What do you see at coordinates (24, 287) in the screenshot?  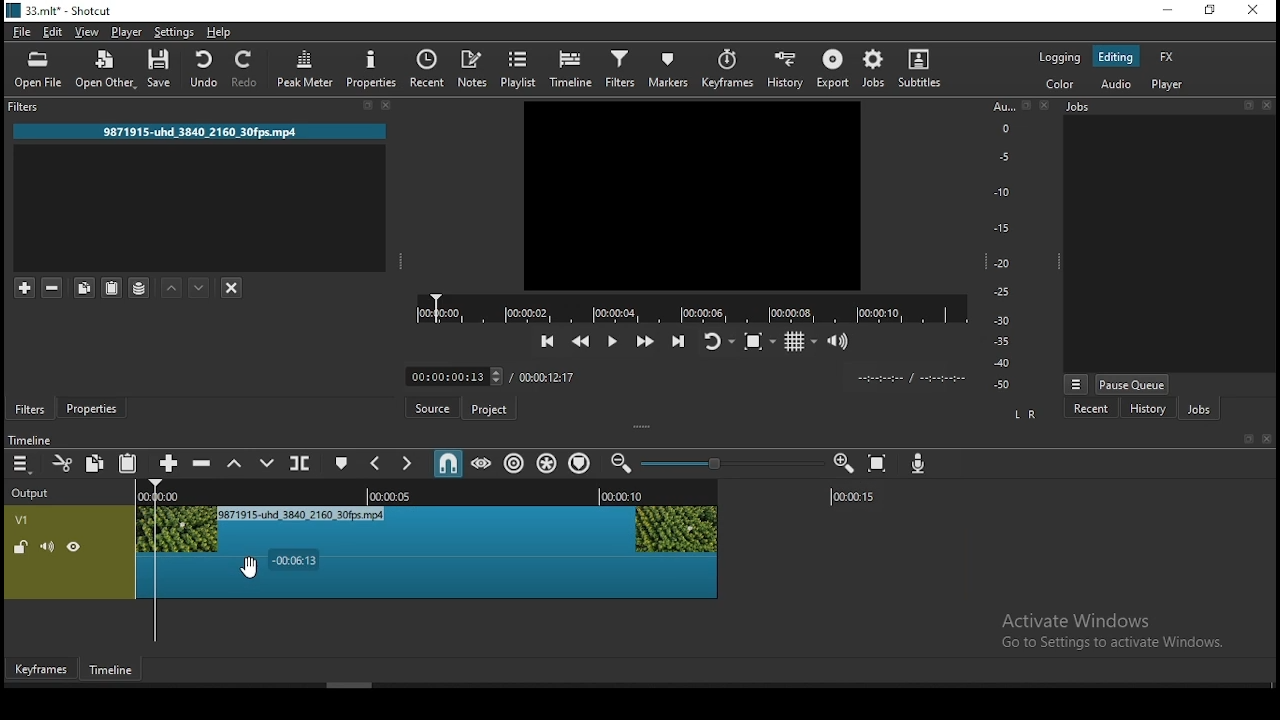 I see `add a filter` at bounding box center [24, 287].